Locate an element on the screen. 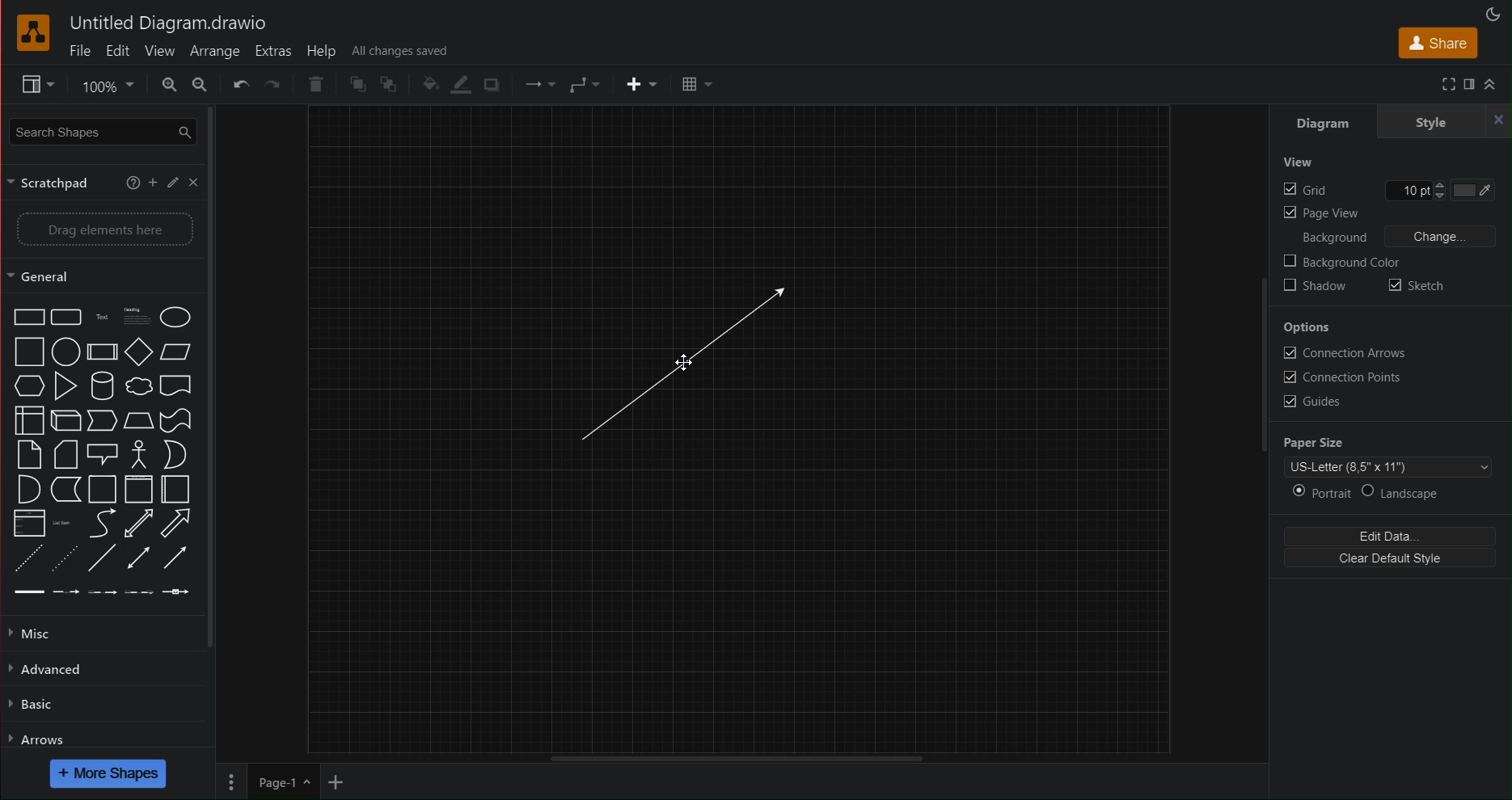 The image size is (1512, 800). Paper Template is located at coordinates (1390, 467).